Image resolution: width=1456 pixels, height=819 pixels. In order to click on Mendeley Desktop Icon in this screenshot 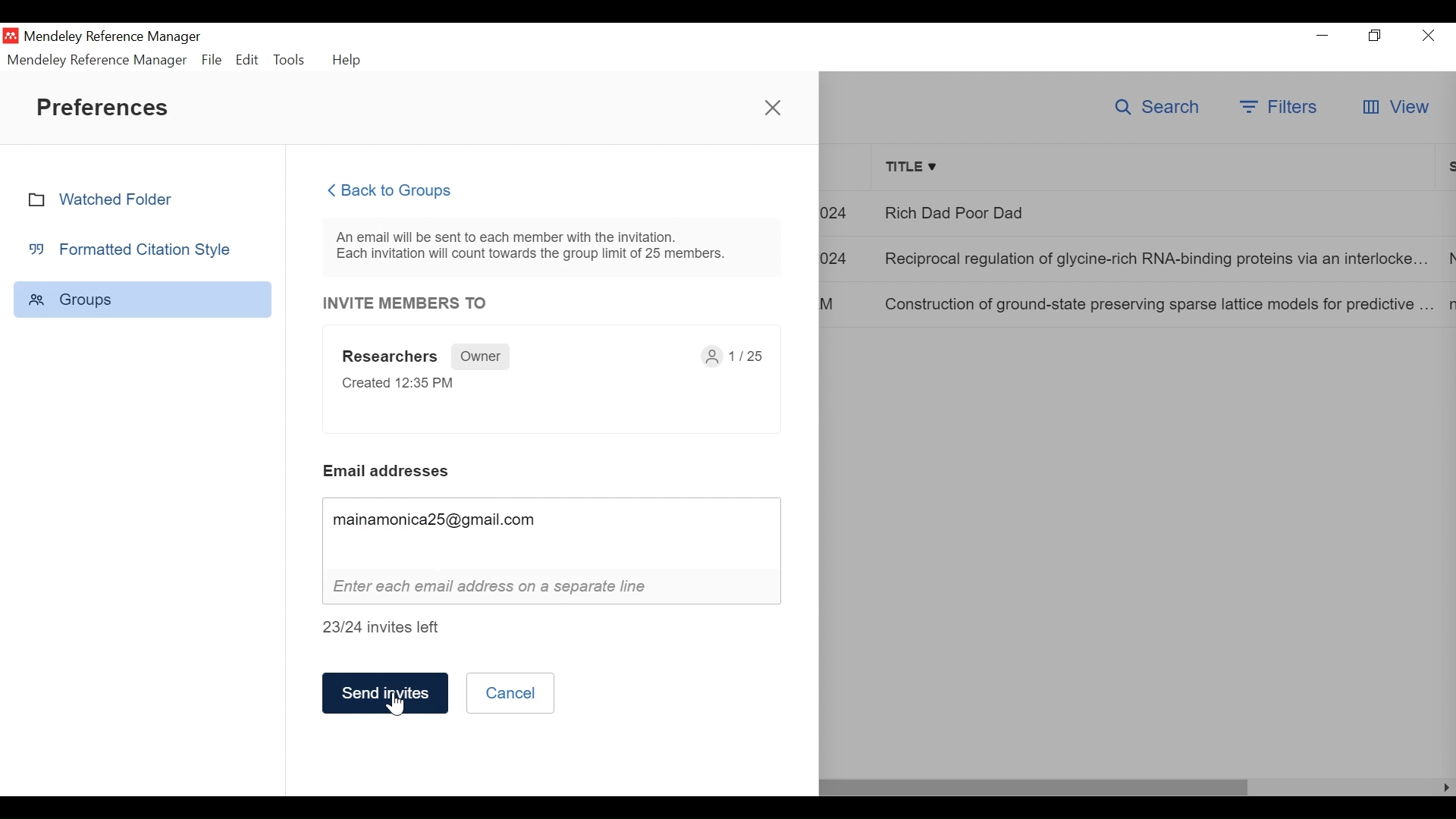, I will do `click(11, 36)`.